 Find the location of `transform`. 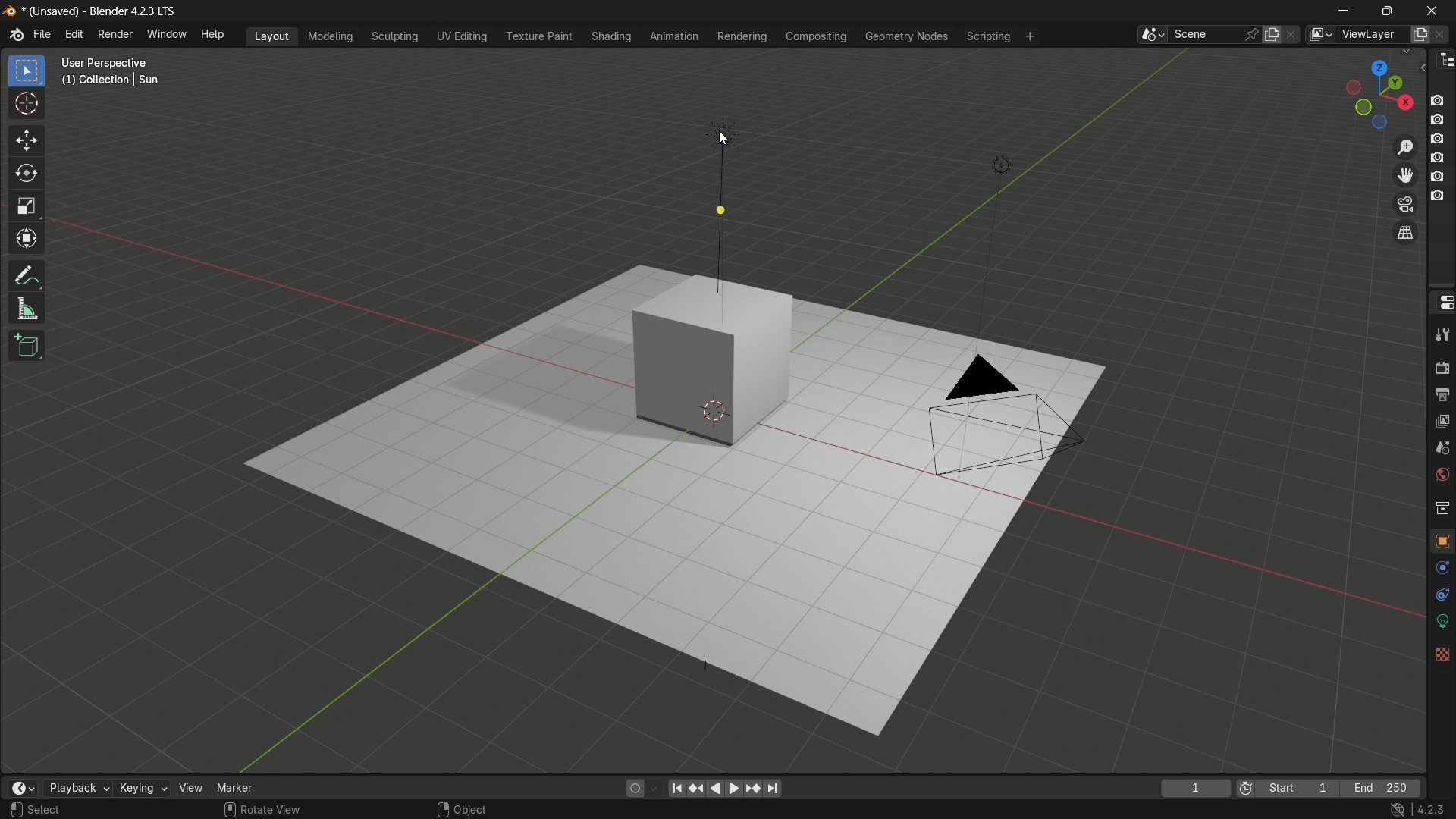

transform is located at coordinates (29, 241).